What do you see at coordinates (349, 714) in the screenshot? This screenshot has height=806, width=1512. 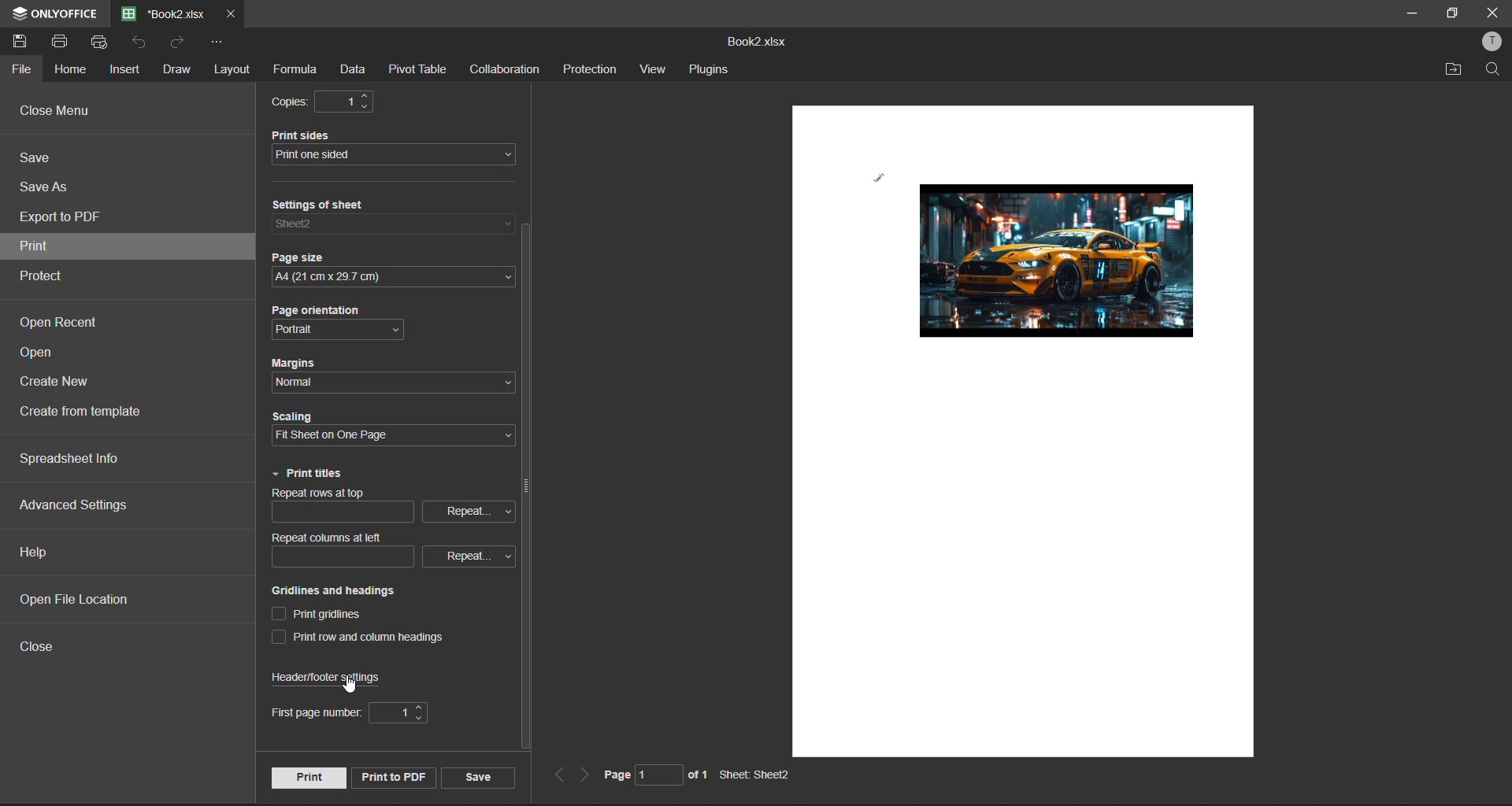 I see `first page number` at bounding box center [349, 714].